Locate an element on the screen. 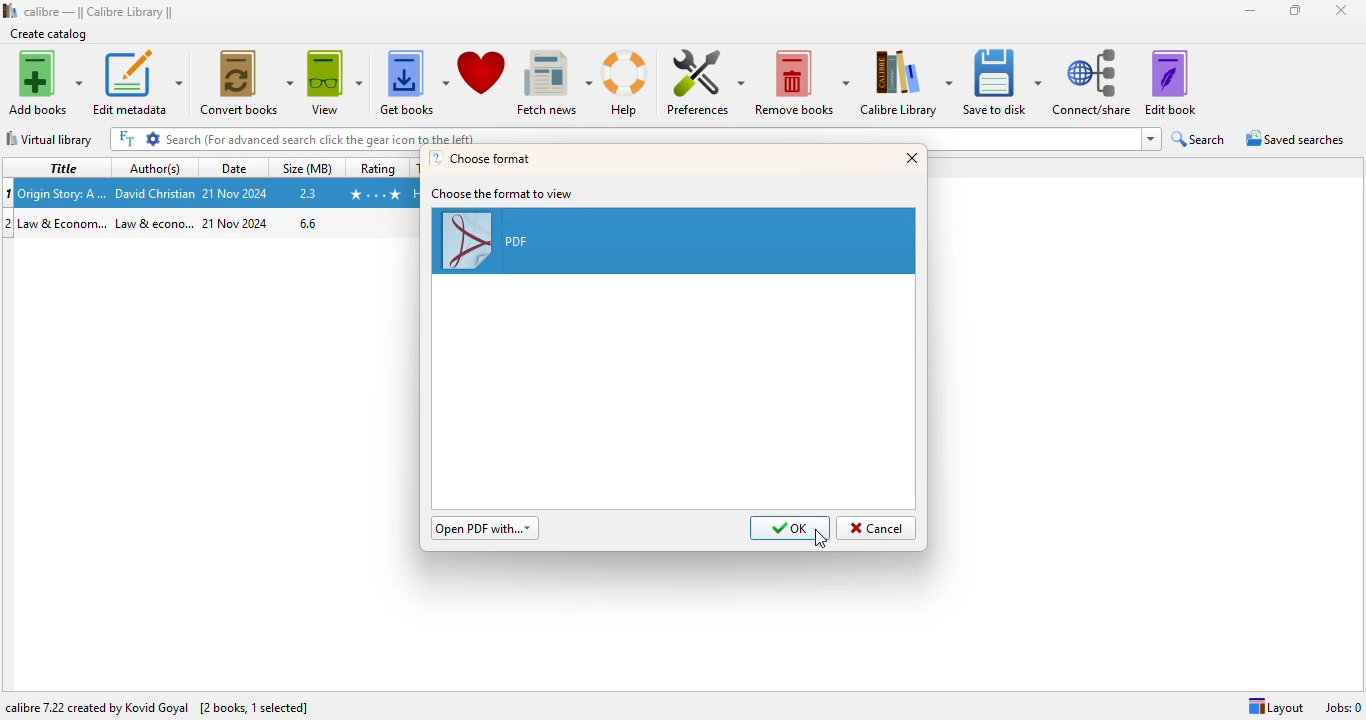 The height and width of the screenshot is (720, 1366). saved searches is located at coordinates (1296, 137).